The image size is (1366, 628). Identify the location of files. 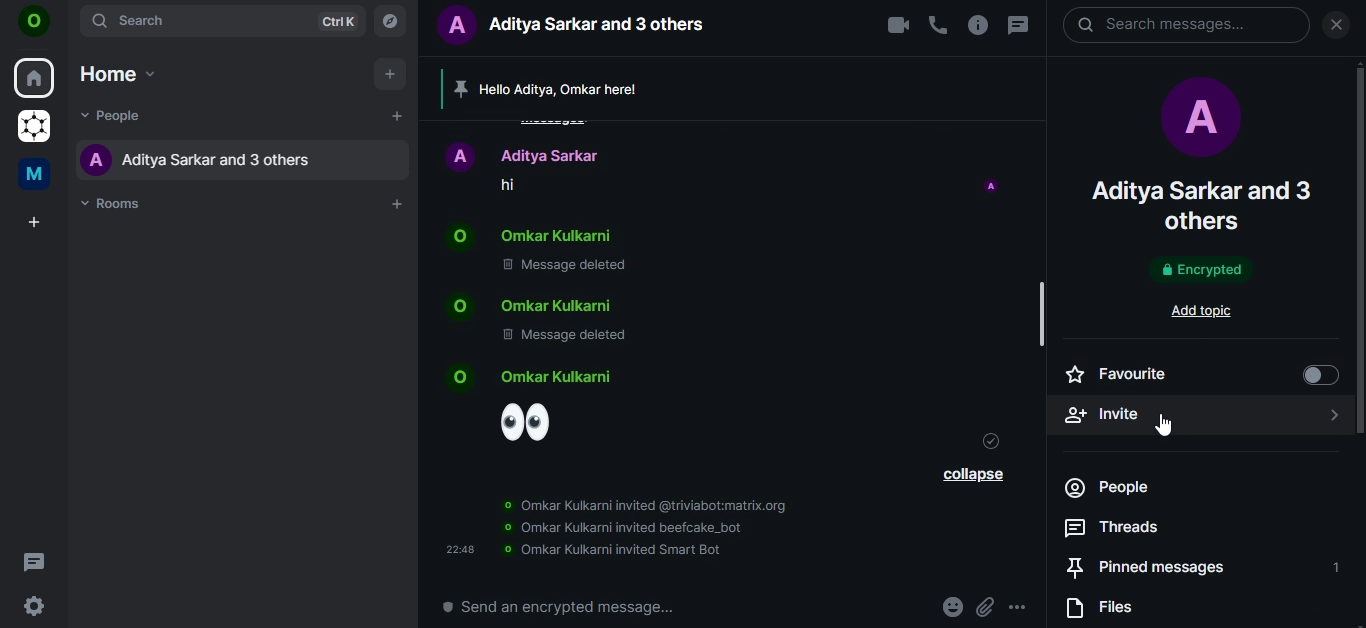
(1109, 610).